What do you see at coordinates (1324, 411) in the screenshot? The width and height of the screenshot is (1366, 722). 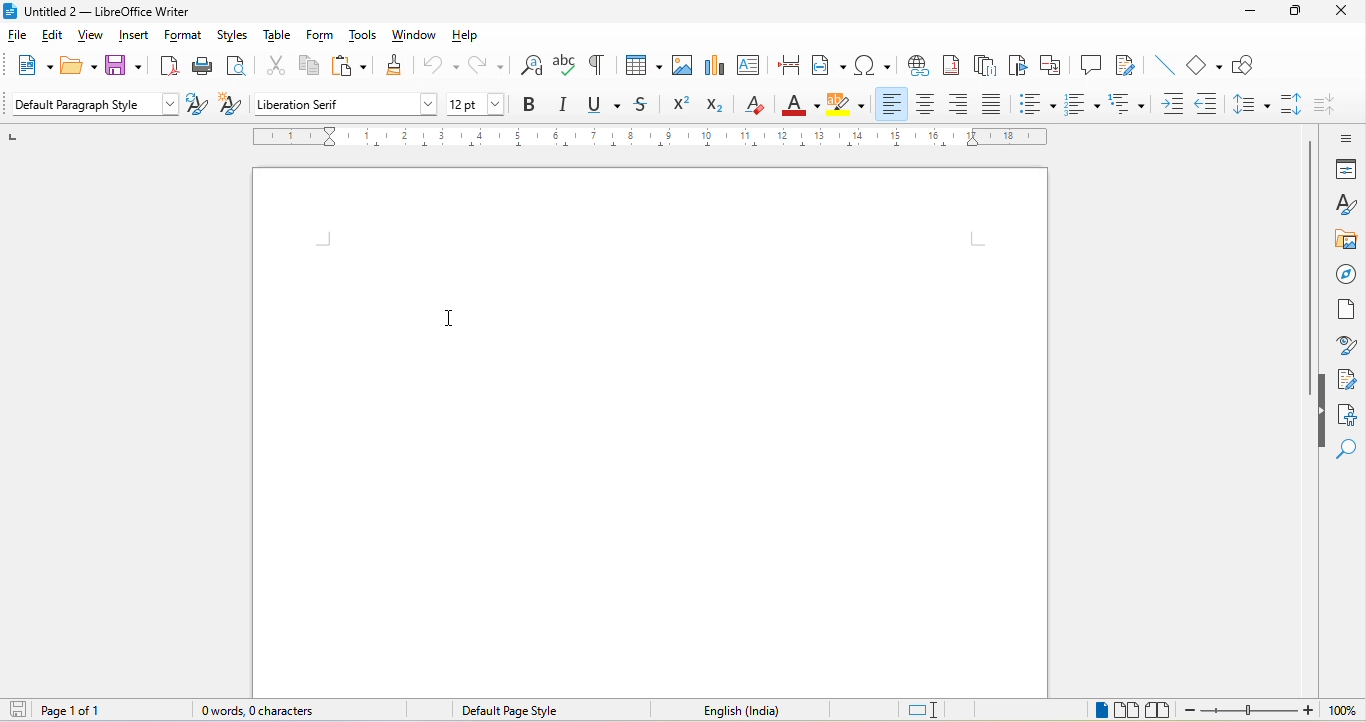 I see `hide` at bounding box center [1324, 411].